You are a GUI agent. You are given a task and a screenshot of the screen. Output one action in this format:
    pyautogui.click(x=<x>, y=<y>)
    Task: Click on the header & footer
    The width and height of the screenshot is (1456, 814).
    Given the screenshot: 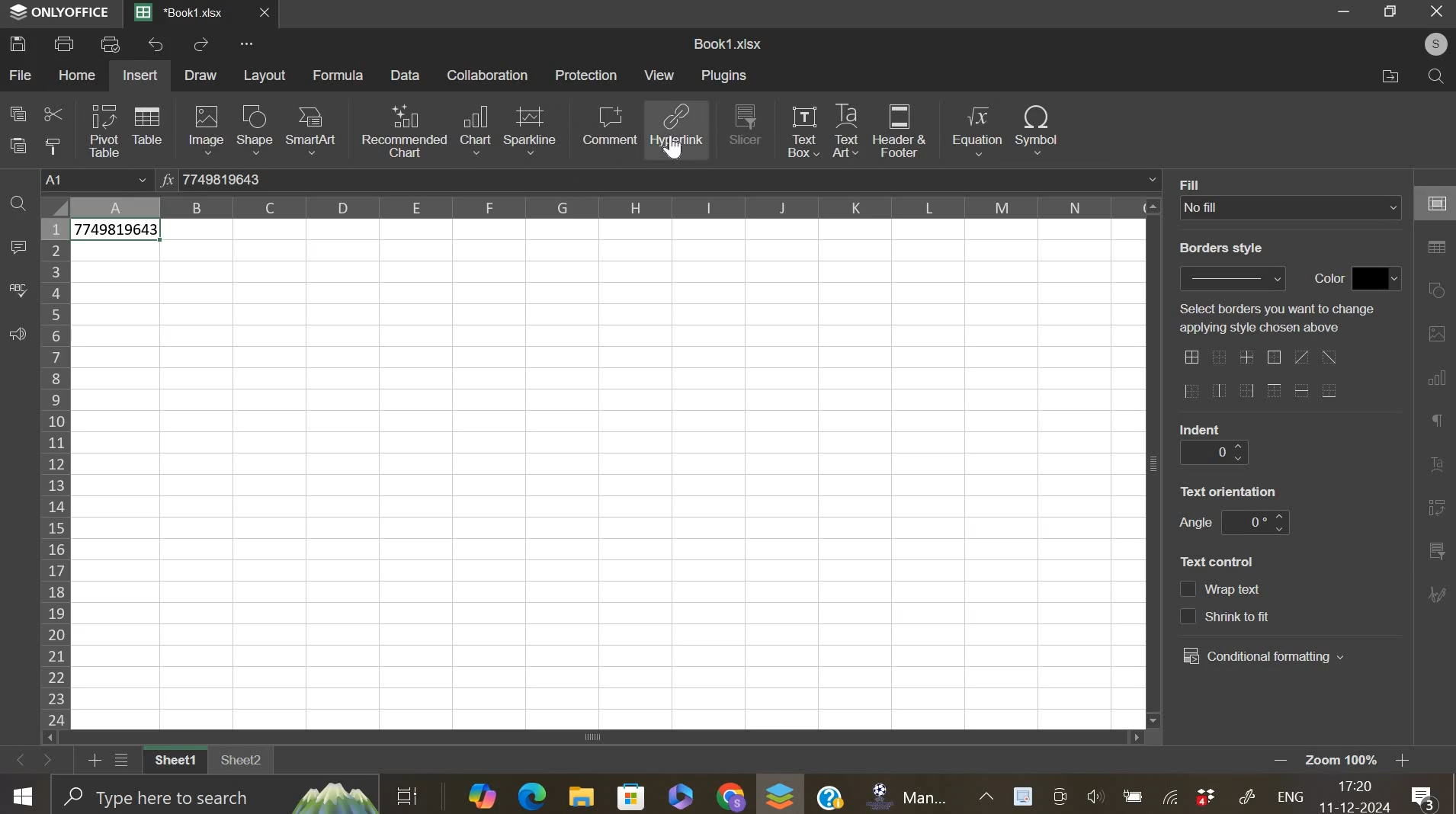 What is the action you would take?
    pyautogui.click(x=900, y=131)
    